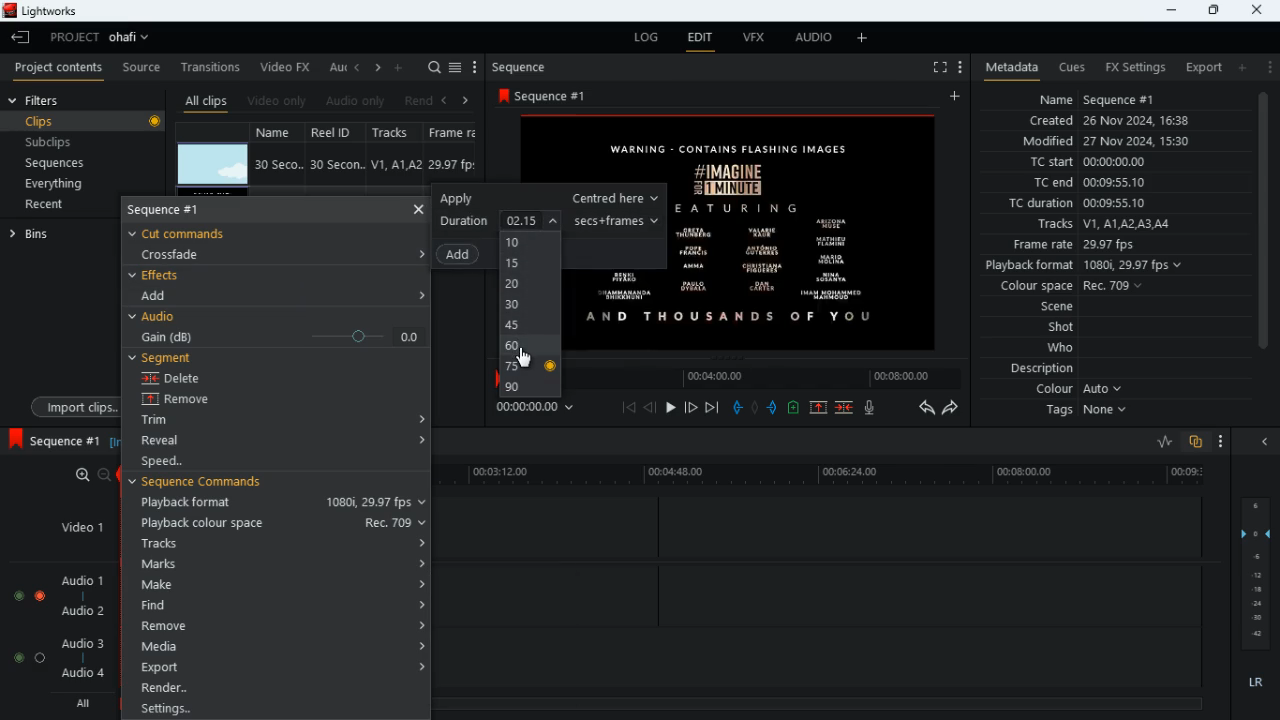 This screenshot has height=720, width=1280. Describe the element at coordinates (80, 704) in the screenshot. I see `all` at that location.